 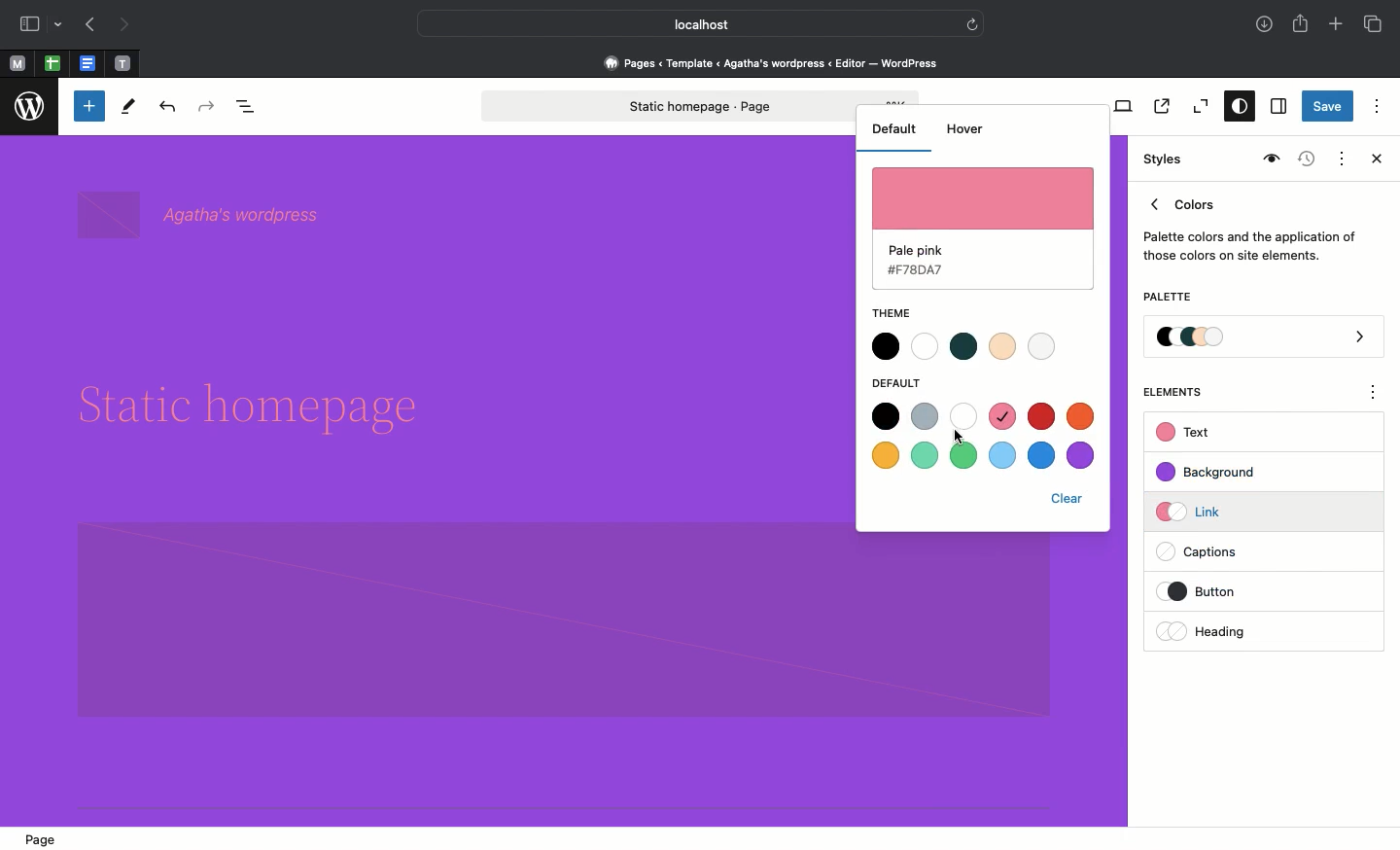 What do you see at coordinates (981, 226) in the screenshot?
I see `Default color` at bounding box center [981, 226].